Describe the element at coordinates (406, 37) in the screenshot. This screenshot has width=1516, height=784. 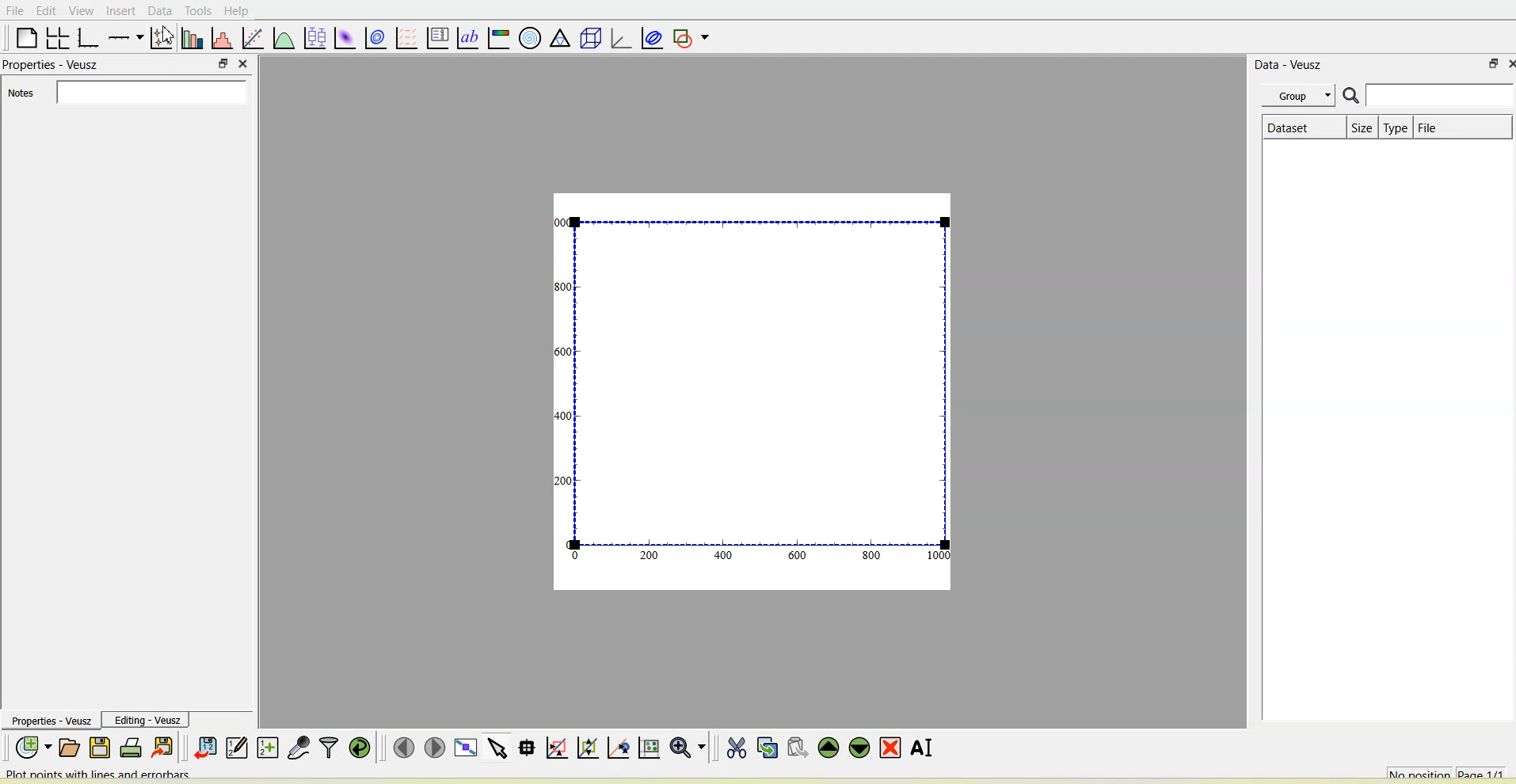
I see `plot a vector field` at that location.